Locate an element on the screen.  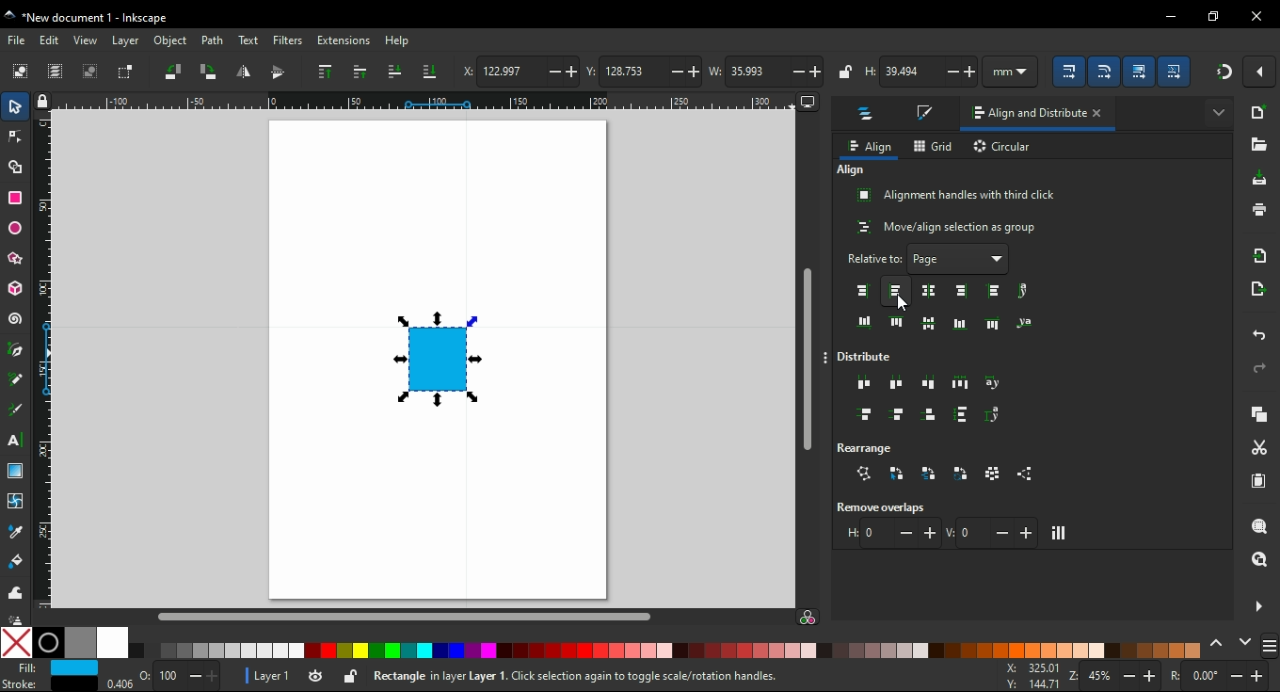
object is located at coordinates (172, 43).